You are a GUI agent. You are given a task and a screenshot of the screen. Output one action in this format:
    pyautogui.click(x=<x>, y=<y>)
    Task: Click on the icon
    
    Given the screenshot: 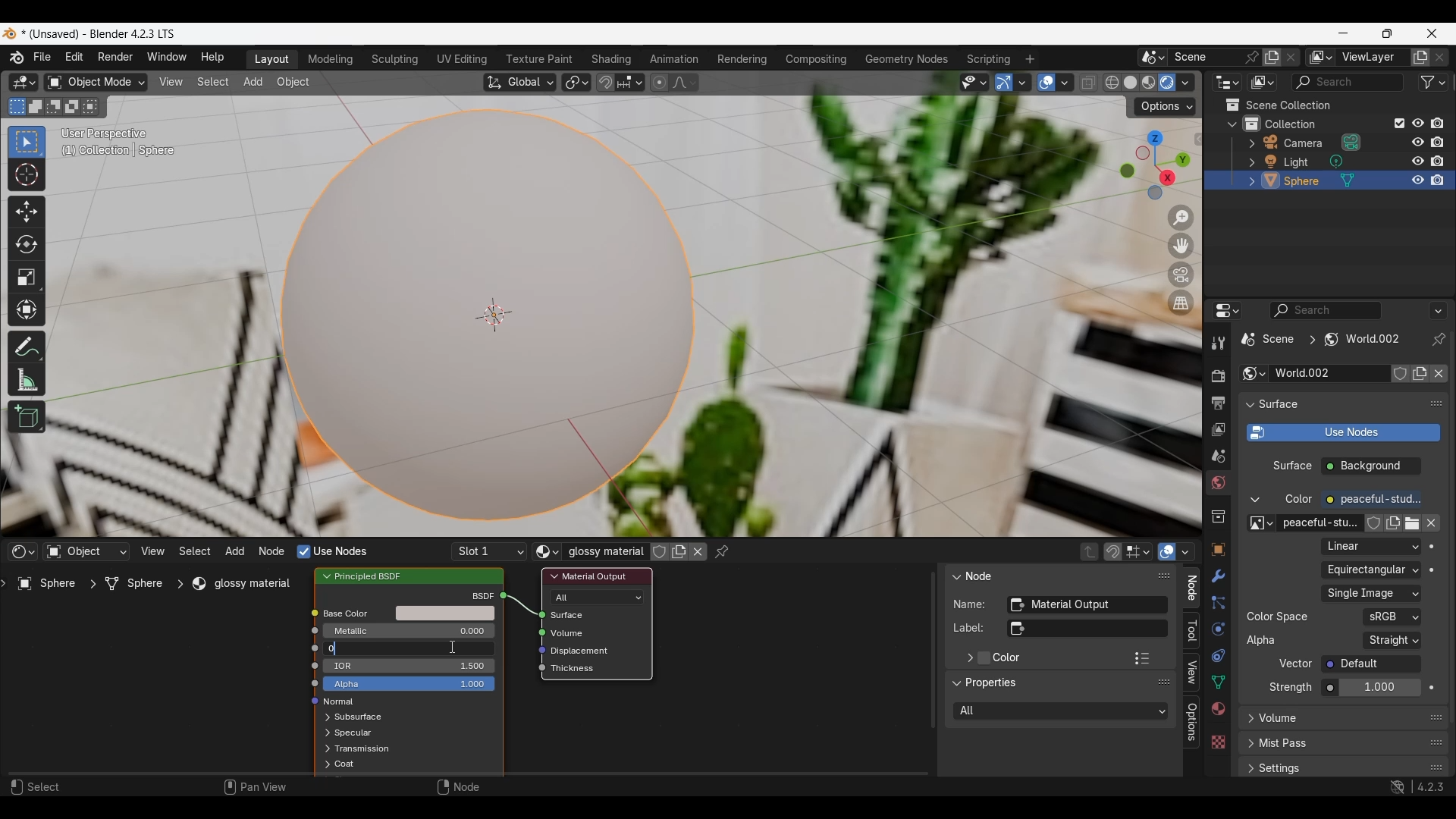 What is the action you would take?
    pyautogui.click(x=532, y=632)
    